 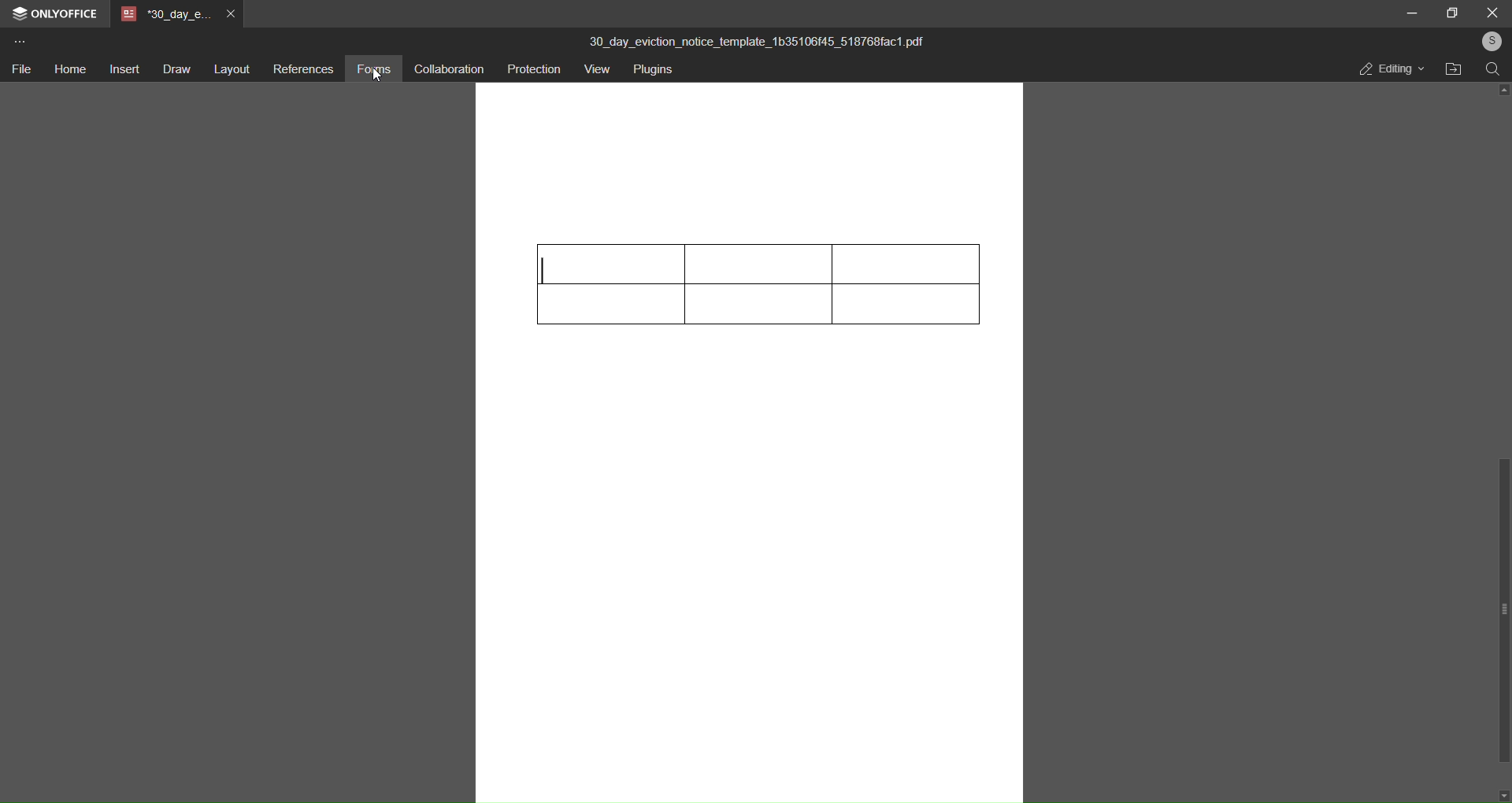 What do you see at coordinates (447, 71) in the screenshot?
I see `collaboration` at bounding box center [447, 71].